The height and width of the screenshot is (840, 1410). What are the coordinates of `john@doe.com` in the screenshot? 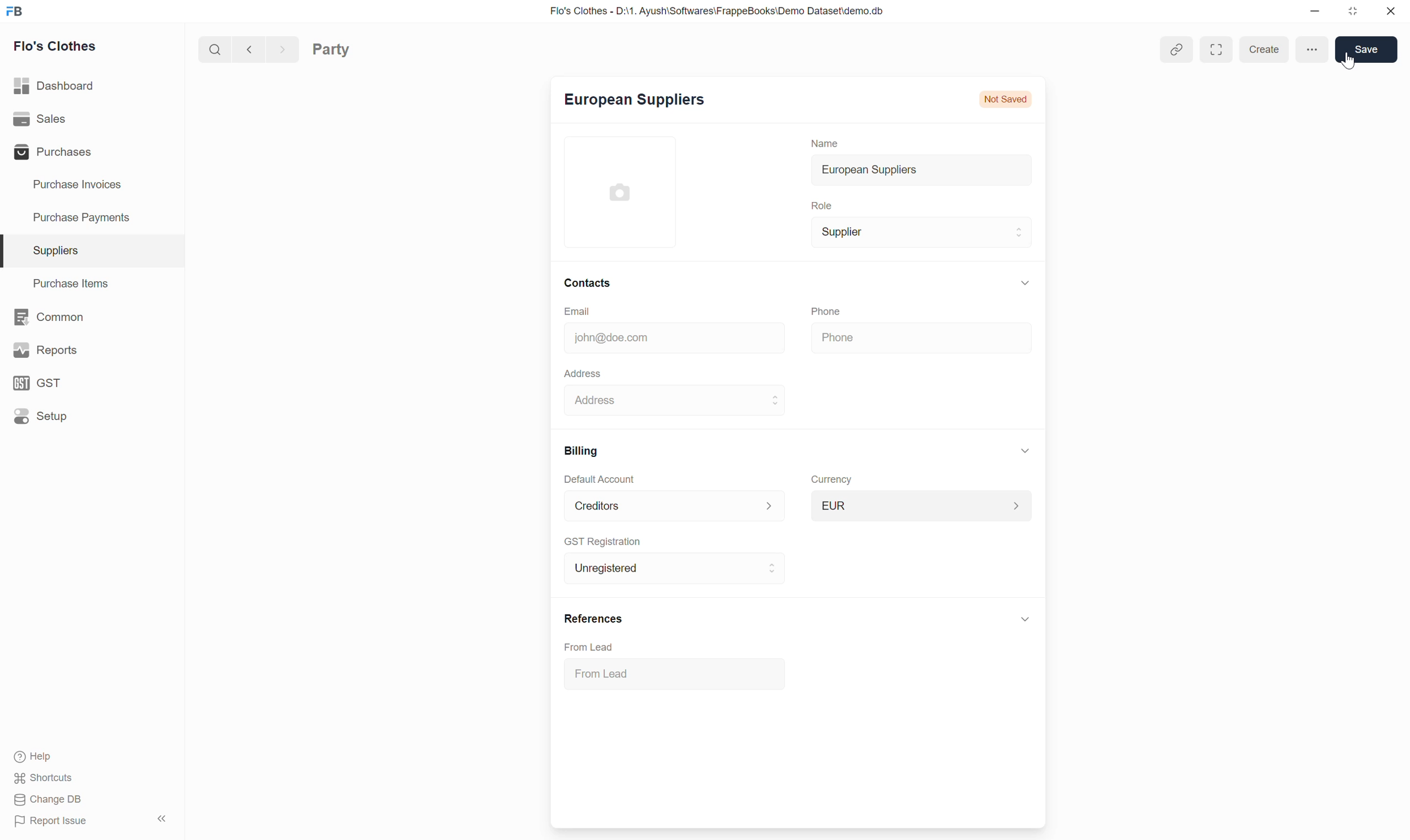 It's located at (606, 336).